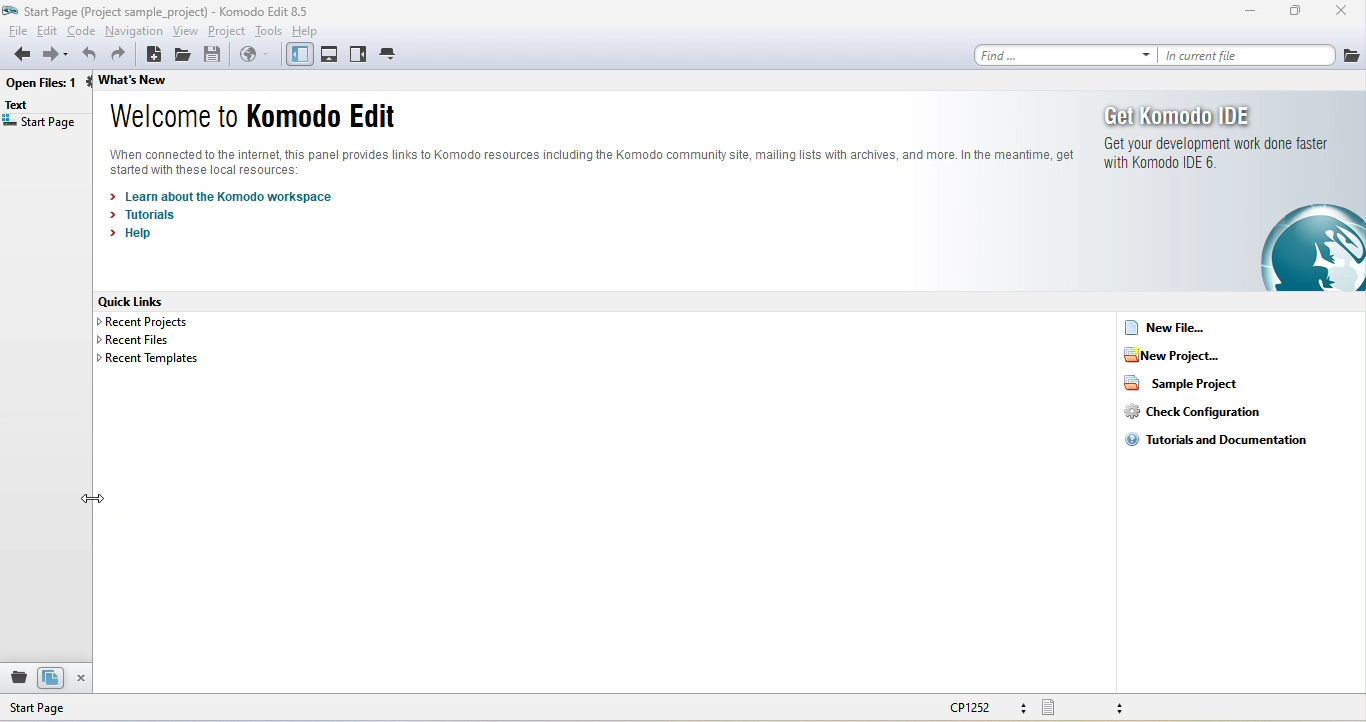 This screenshot has width=1366, height=722. I want to click on open, so click(186, 55).